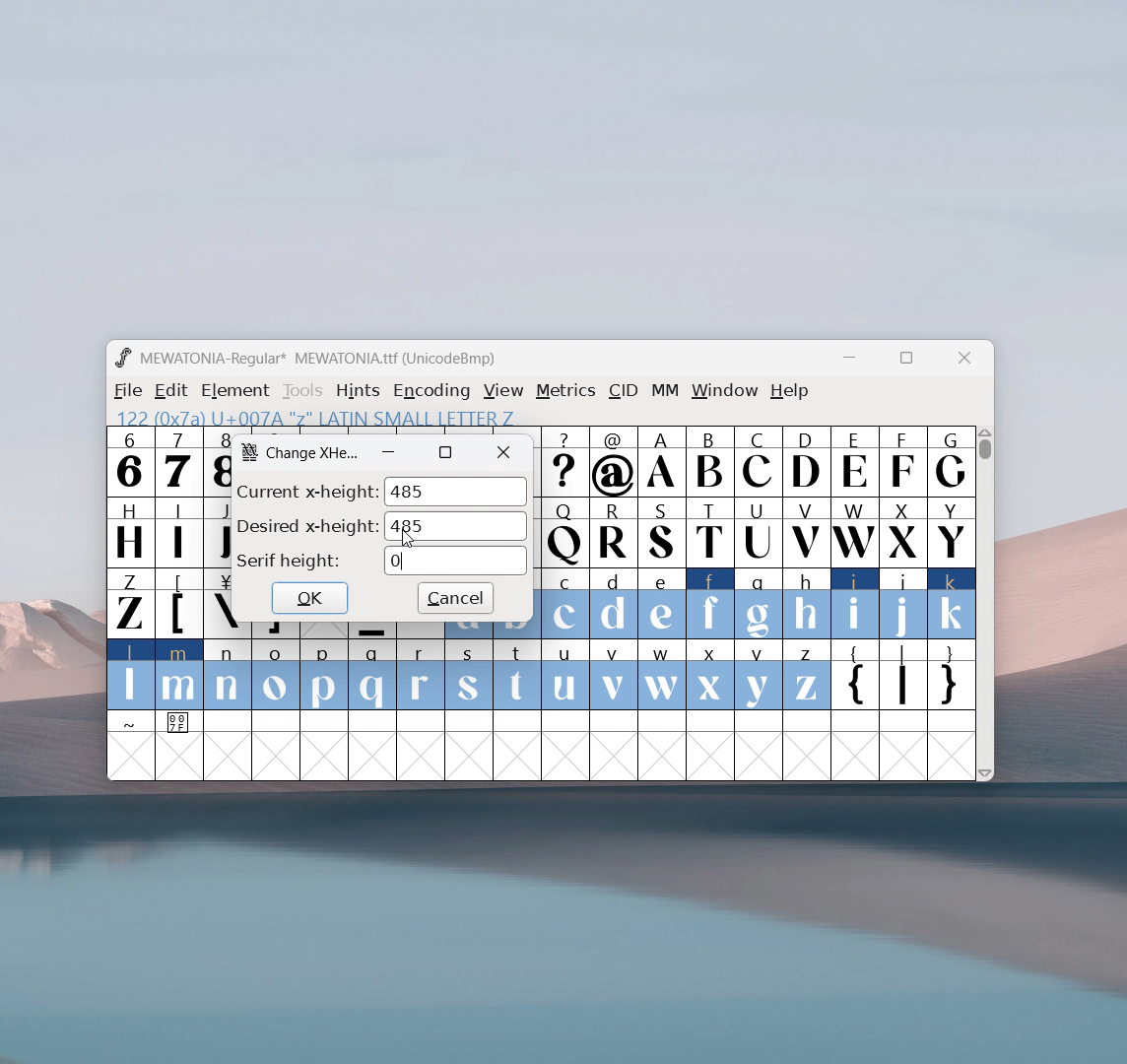 The image size is (1127, 1064). I want to click on Z, so click(129, 602).